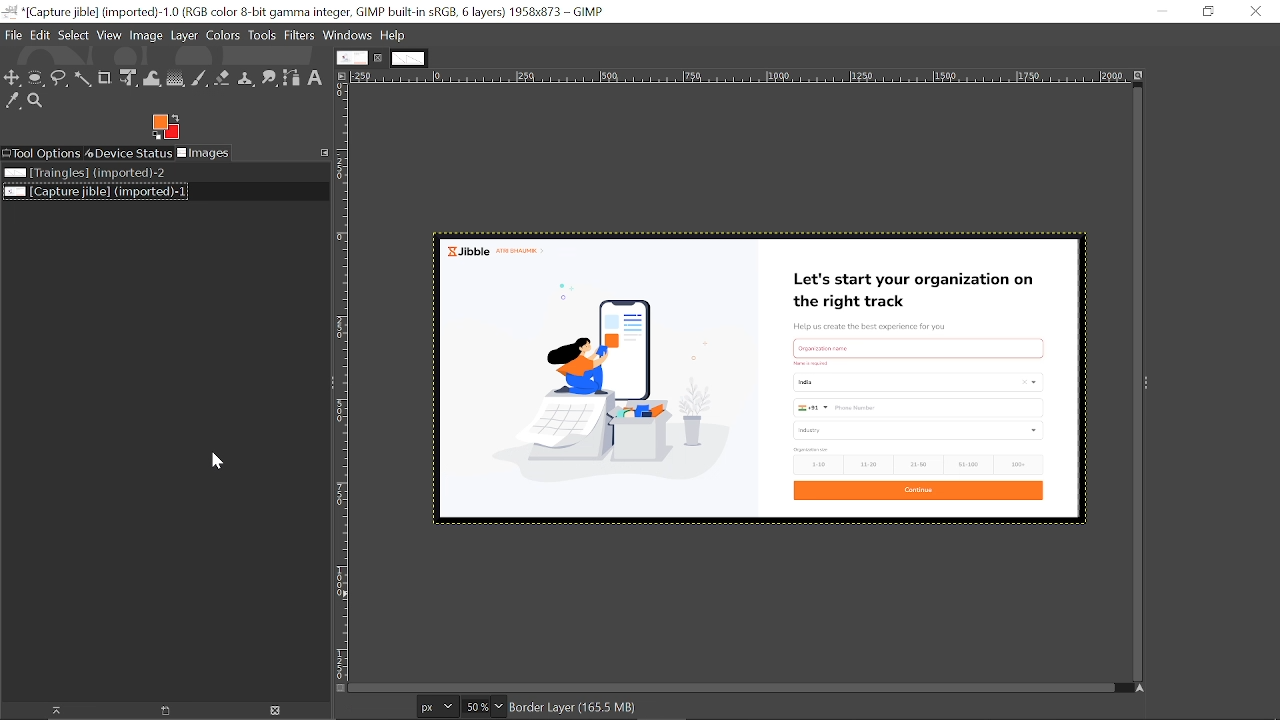 The width and height of the screenshot is (1280, 720). Describe the element at coordinates (74, 36) in the screenshot. I see `Select` at that location.